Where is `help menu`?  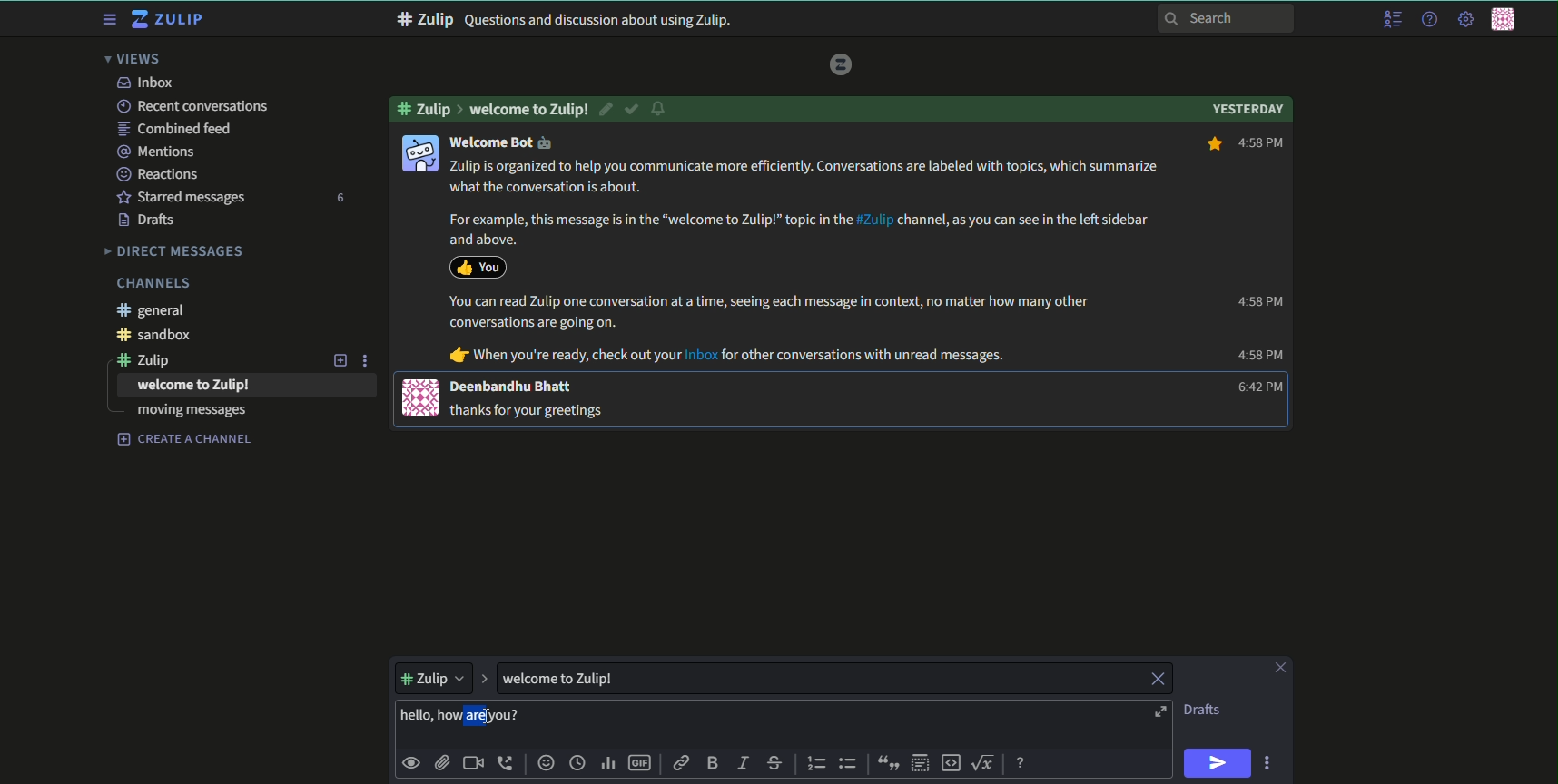
help menu is located at coordinates (1427, 20).